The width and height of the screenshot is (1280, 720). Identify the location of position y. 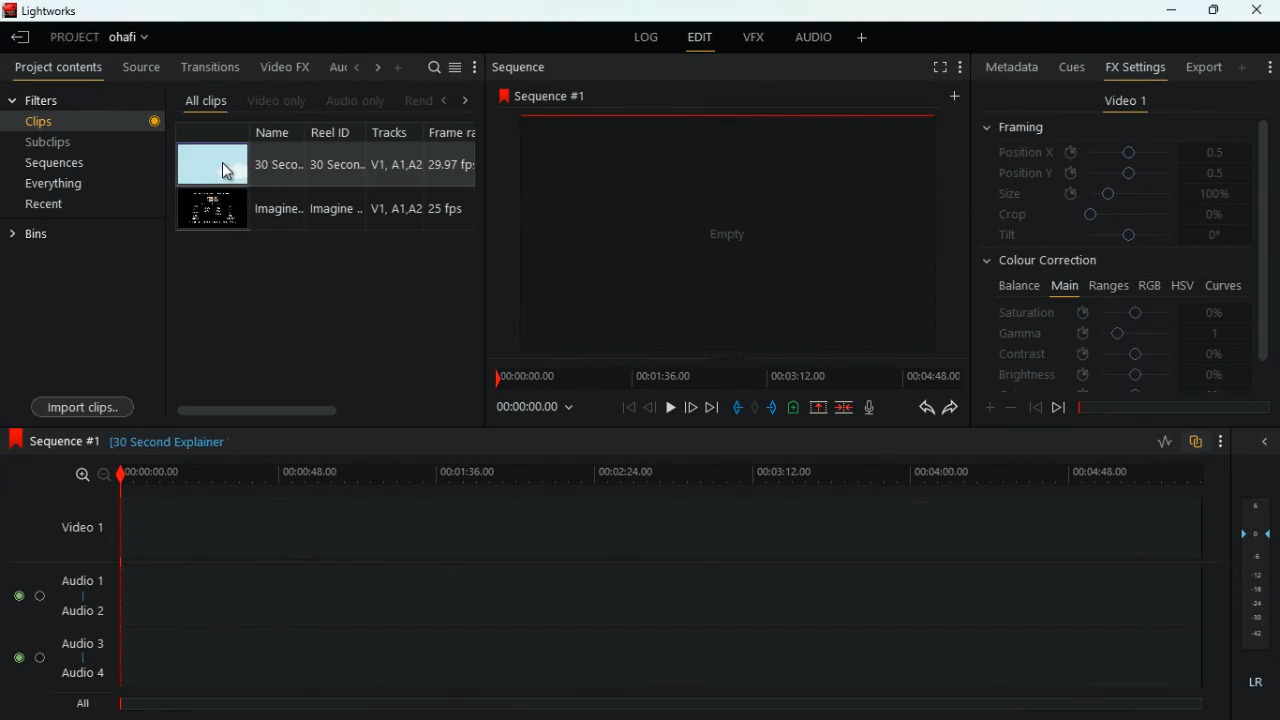
(1104, 174).